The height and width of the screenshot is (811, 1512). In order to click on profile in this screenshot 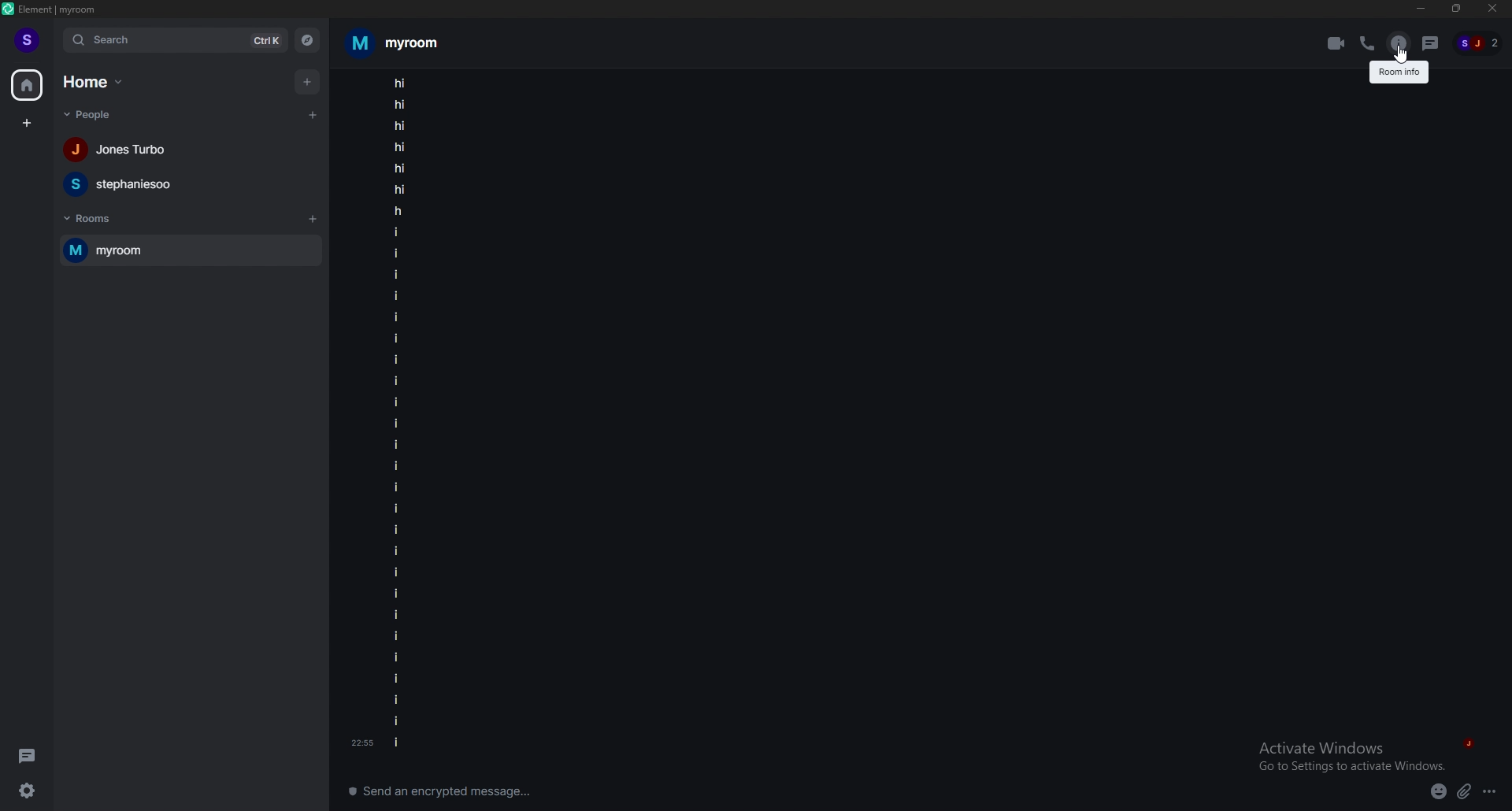, I will do `click(28, 40)`.